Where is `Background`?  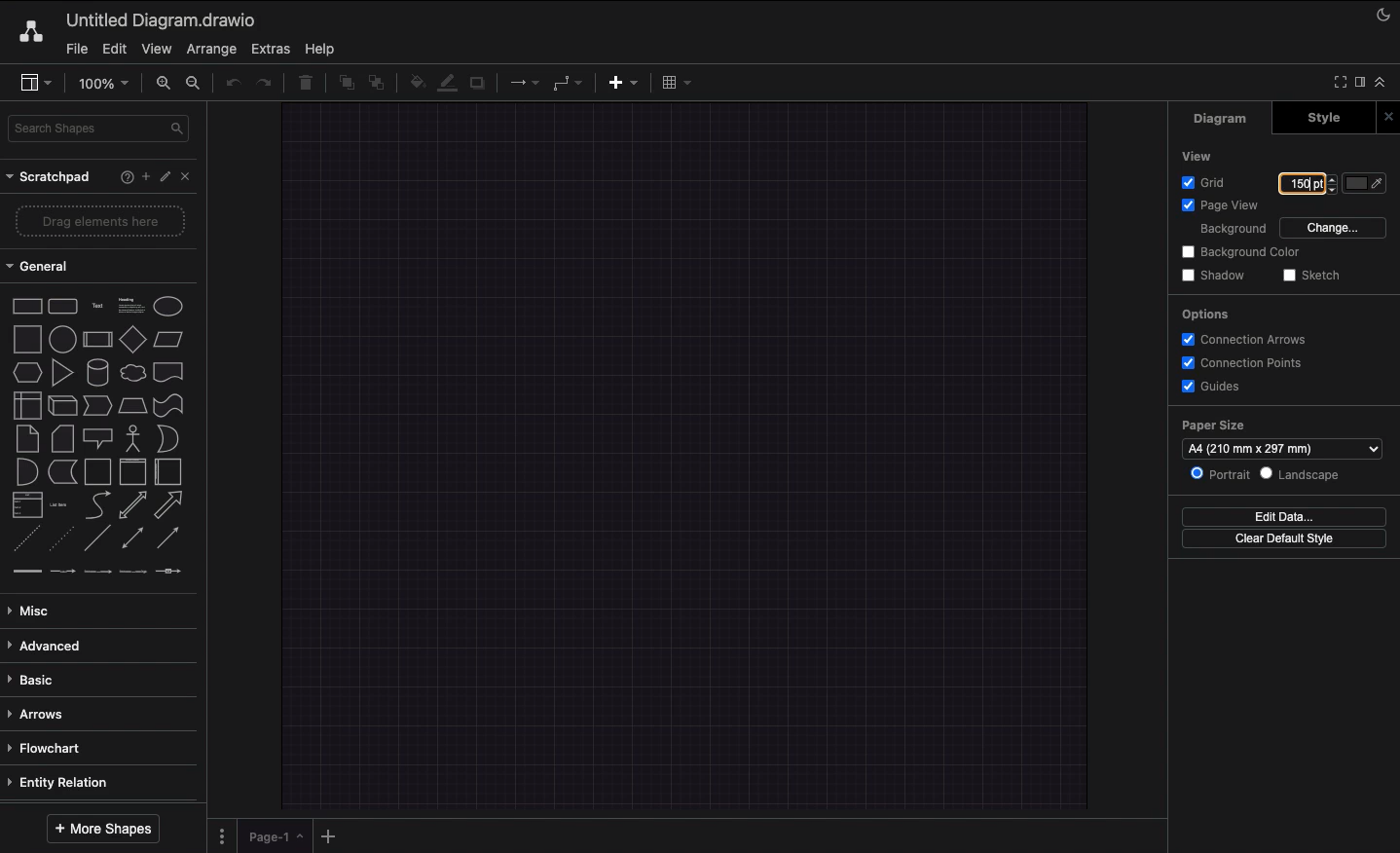
Background is located at coordinates (1231, 230).